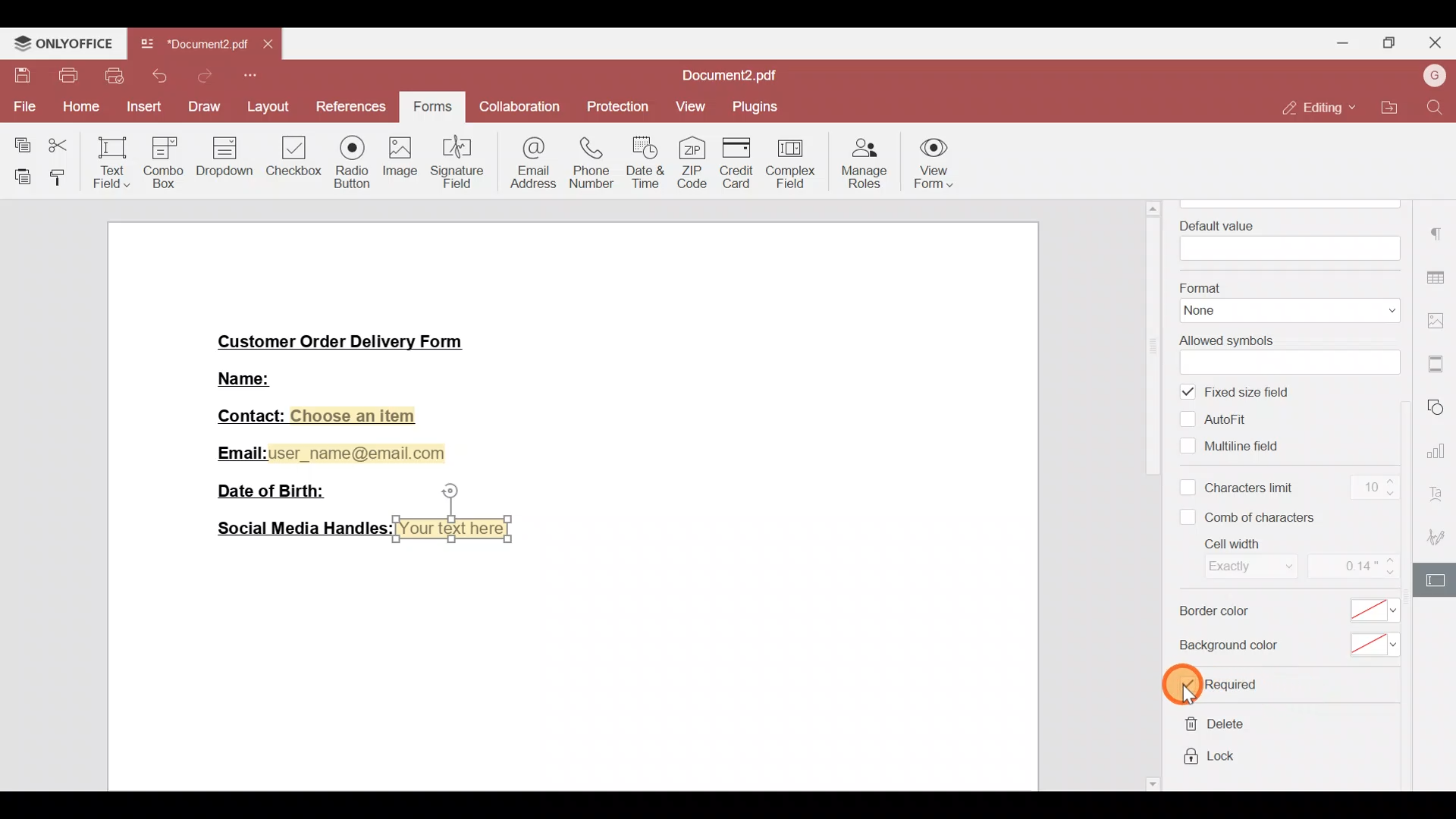 This screenshot has height=819, width=1456. What do you see at coordinates (1439, 315) in the screenshot?
I see `Image settings` at bounding box center [1439, 315].